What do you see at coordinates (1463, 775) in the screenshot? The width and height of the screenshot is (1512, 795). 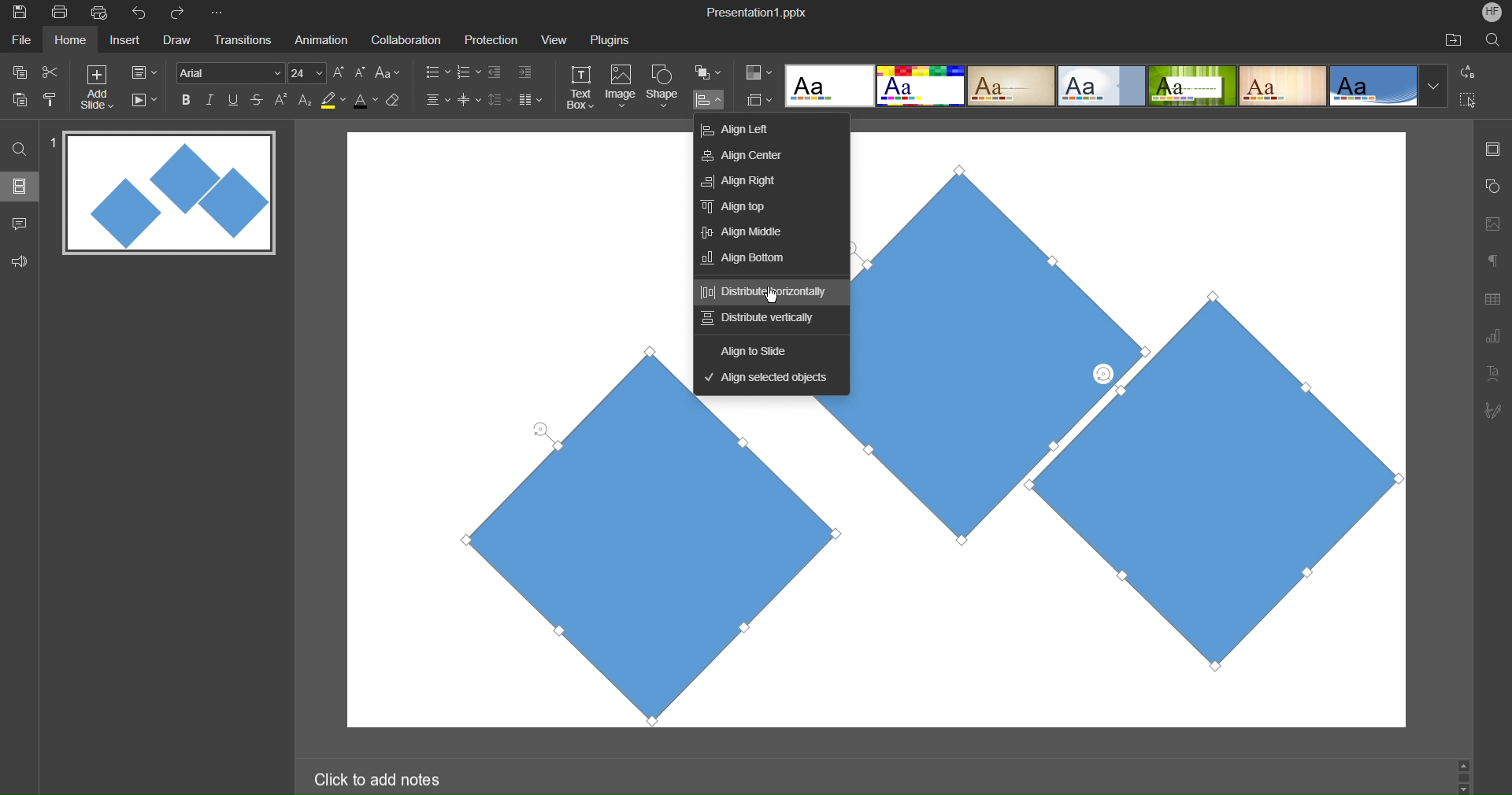 I see `scrollbar` at bounding box center [1463, 775].